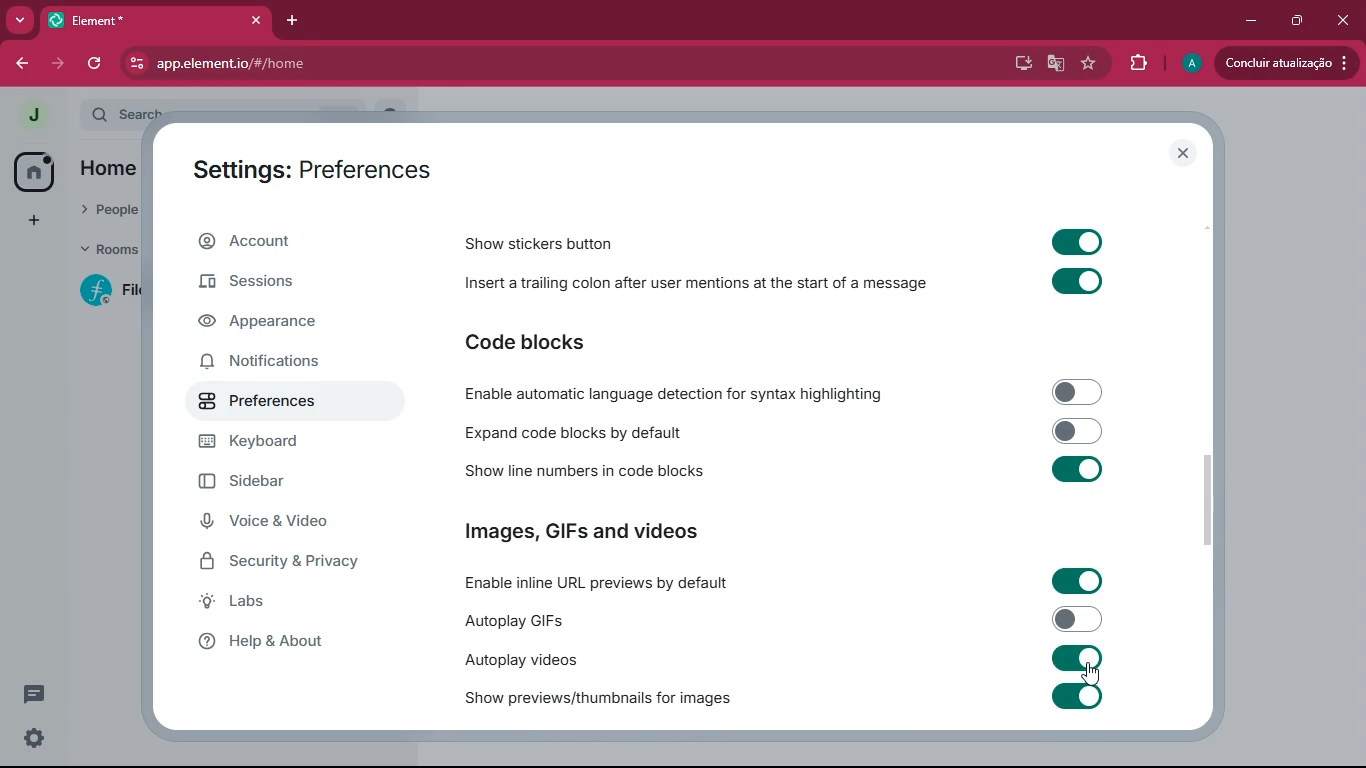 The width and height of the screenshot is (1366, 768). Describe the element at coordinates (106, 251) in the screenshot. I see `rooms` at that location.